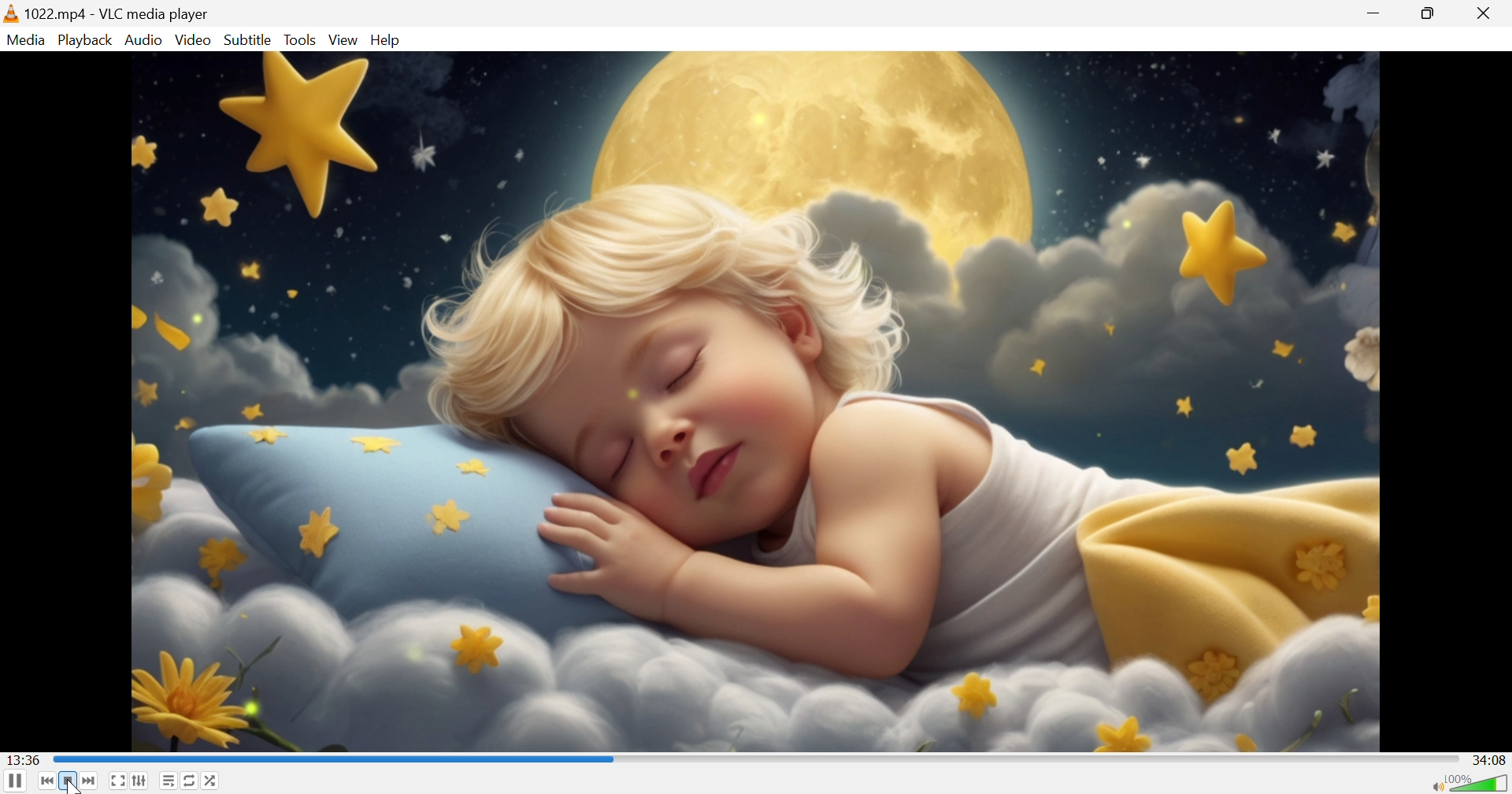  I want to click on Restore down, so click(1432, 13).